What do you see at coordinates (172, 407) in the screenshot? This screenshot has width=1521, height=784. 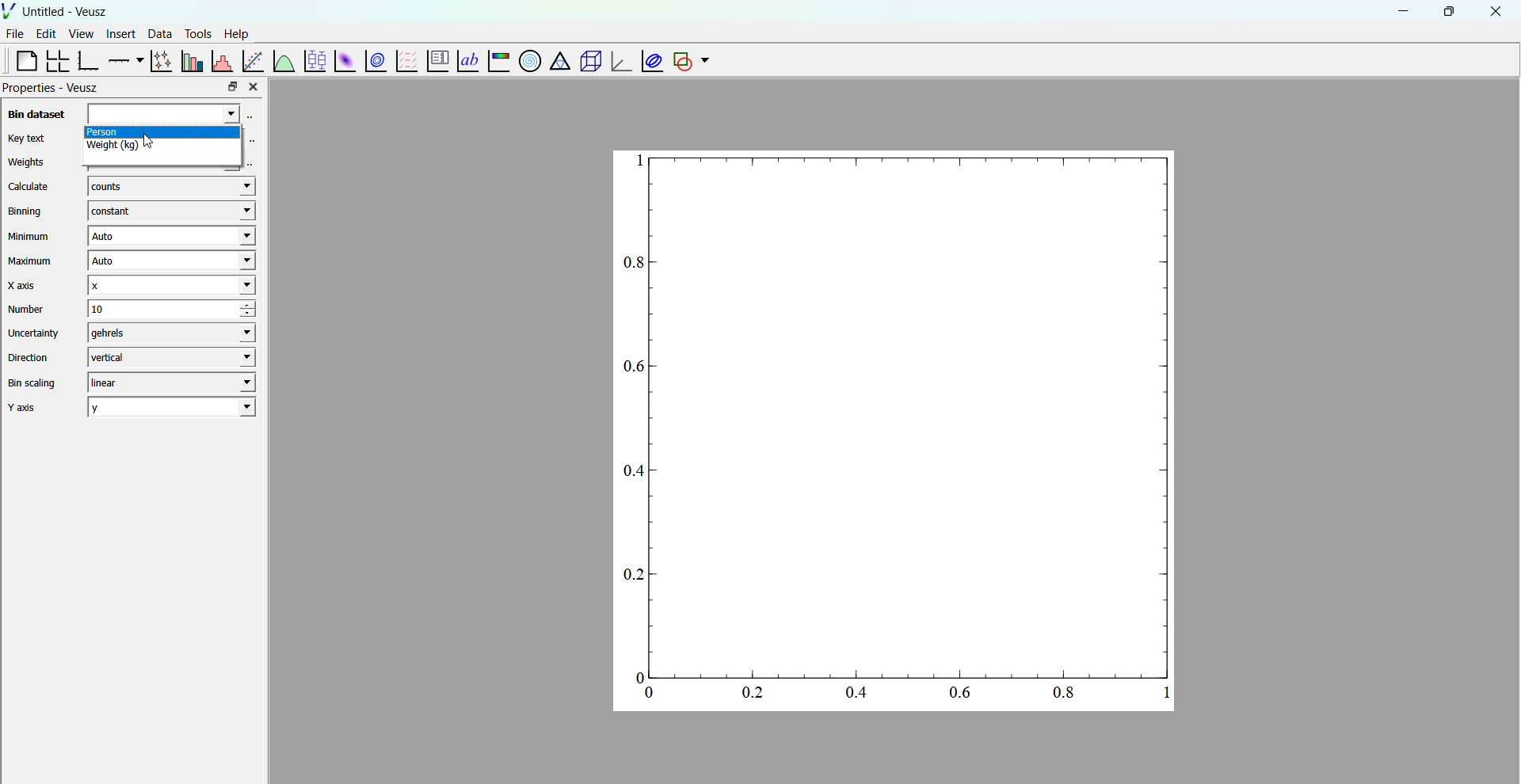 I see `y - y axis drop down` at bounding box center [172, 407].